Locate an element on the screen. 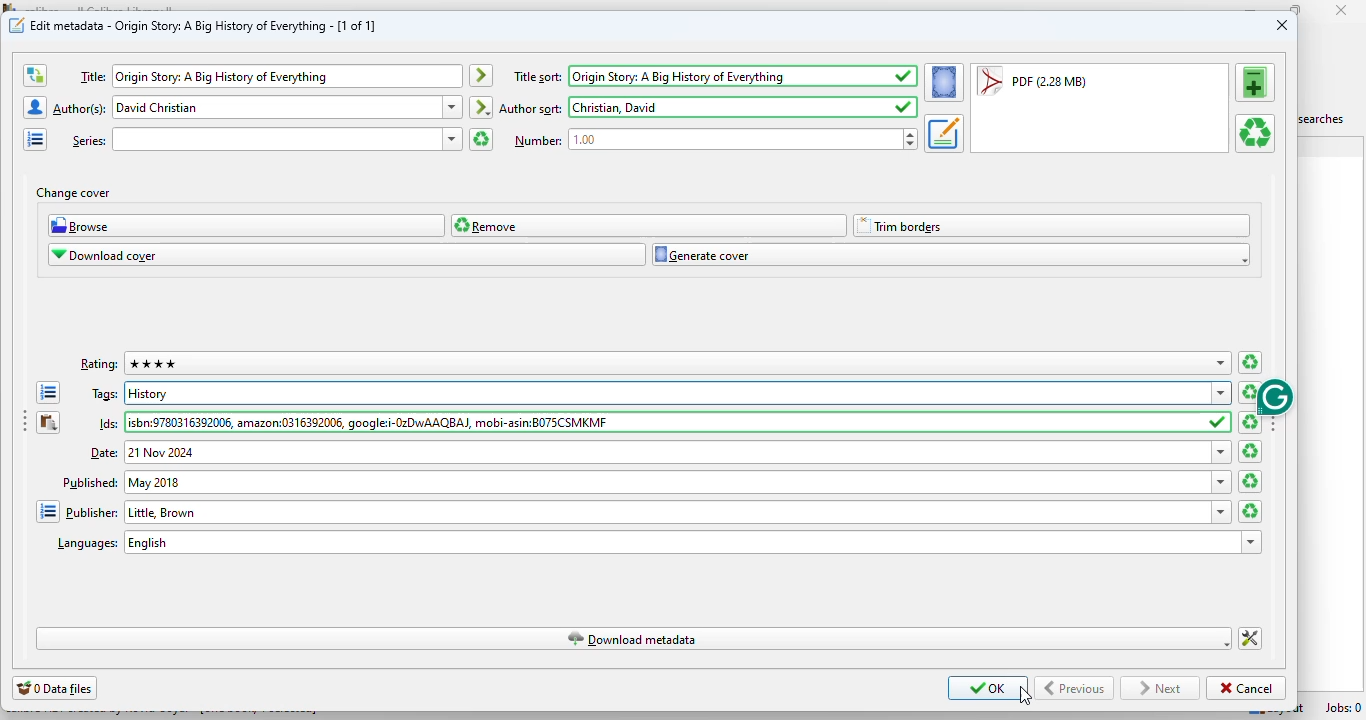 The image size is (1366, 720). text is located at coordinates (92, 76).